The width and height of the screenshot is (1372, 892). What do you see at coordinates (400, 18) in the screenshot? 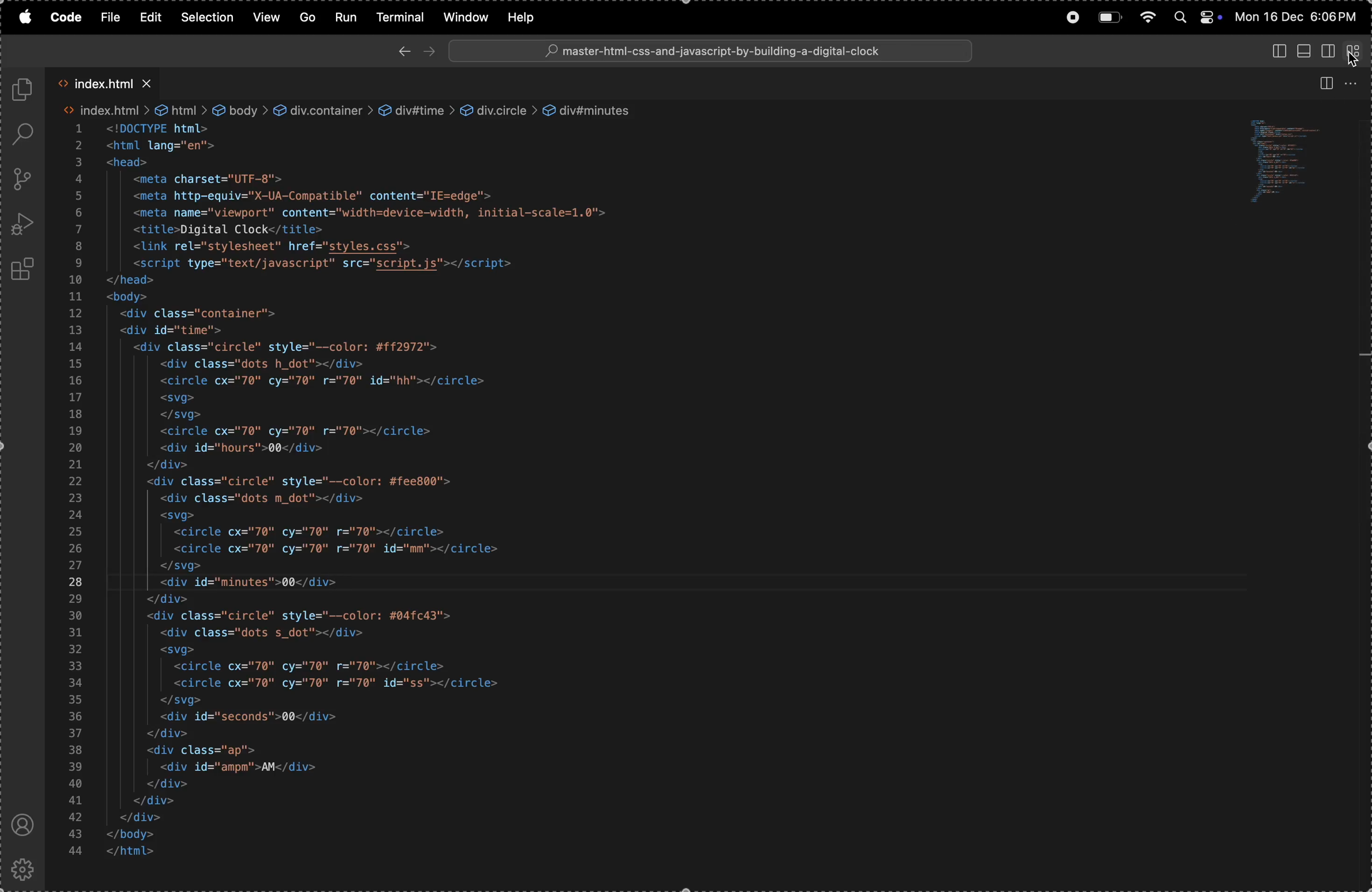
I see `terminal` at bounding box center [400, 18].